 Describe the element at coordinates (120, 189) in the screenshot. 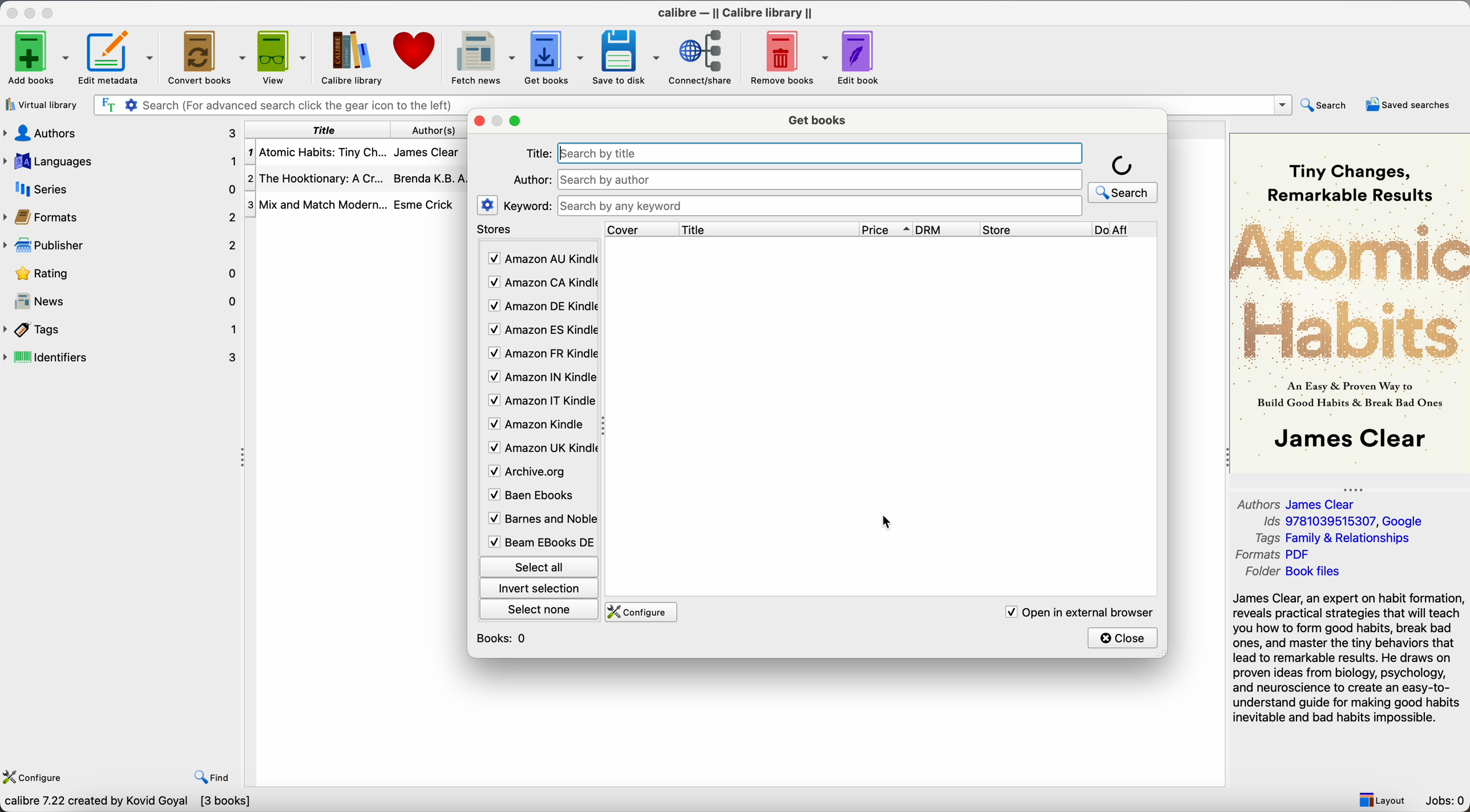

I see `series` at that location.